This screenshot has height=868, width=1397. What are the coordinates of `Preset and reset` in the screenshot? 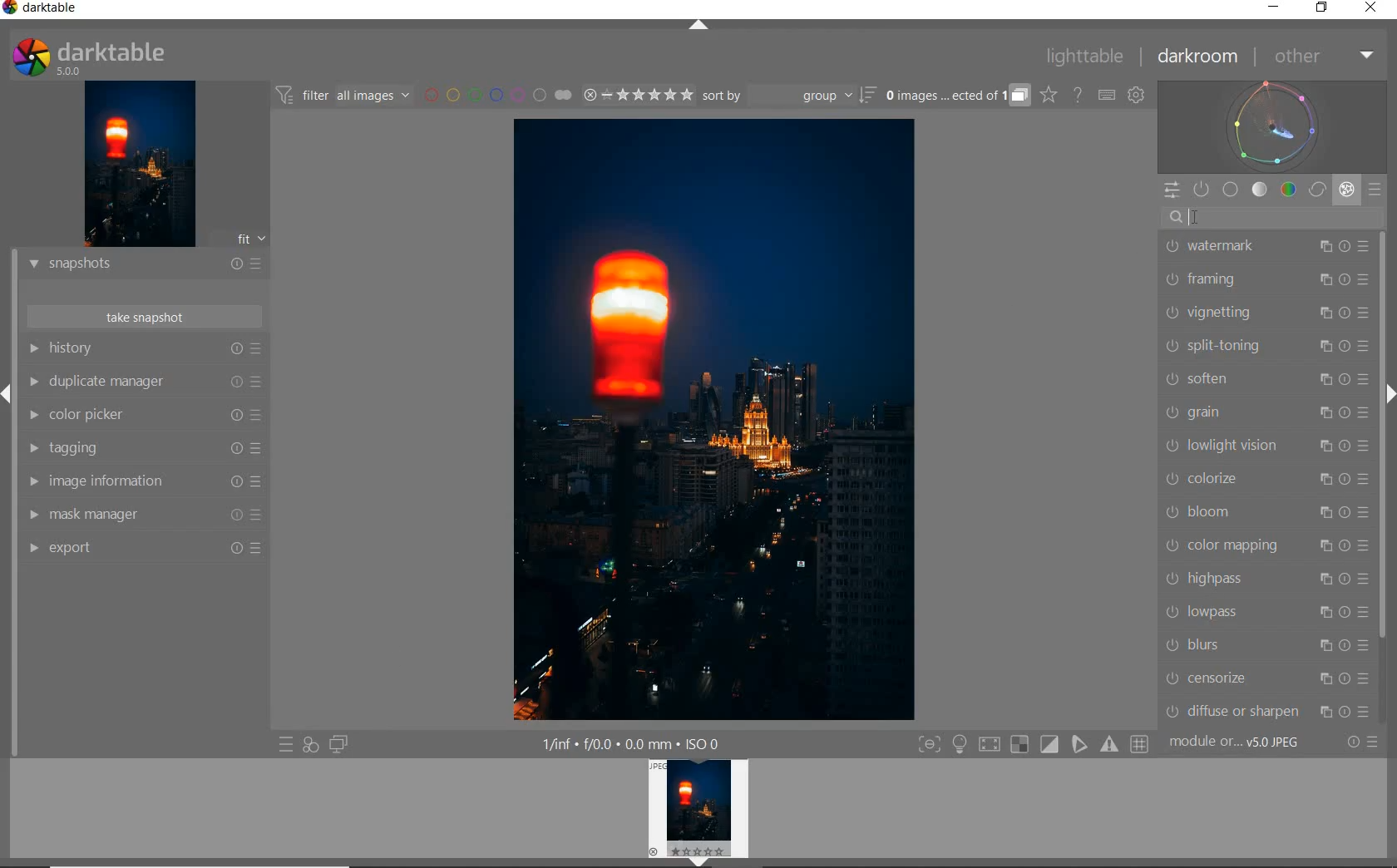 It's located at (1365, 311).